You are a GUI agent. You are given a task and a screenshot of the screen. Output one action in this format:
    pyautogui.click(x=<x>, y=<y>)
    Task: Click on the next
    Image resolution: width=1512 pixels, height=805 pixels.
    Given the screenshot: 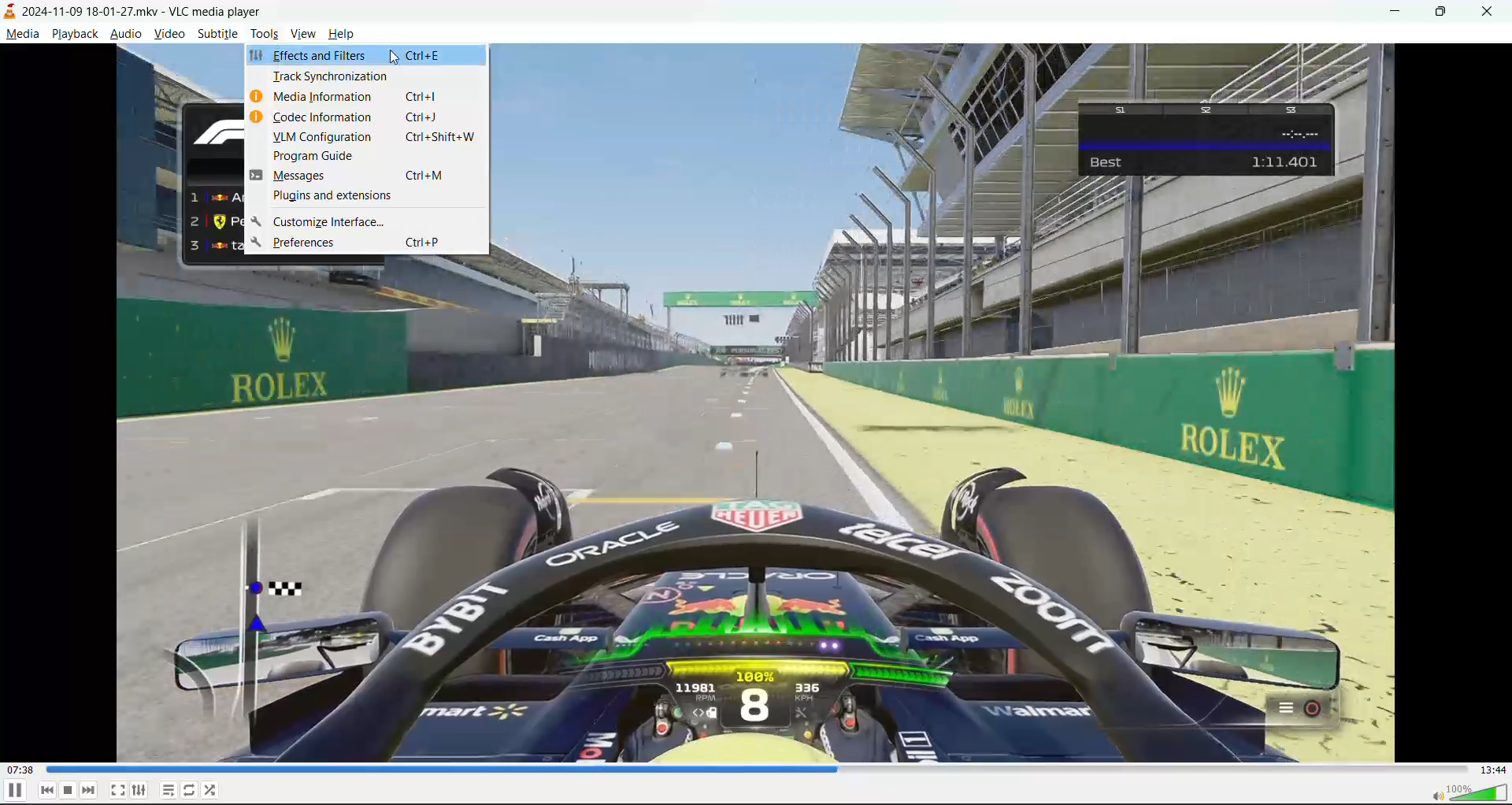 What is the action you would take?
    pyautogui.click(x=89, y=789)
    